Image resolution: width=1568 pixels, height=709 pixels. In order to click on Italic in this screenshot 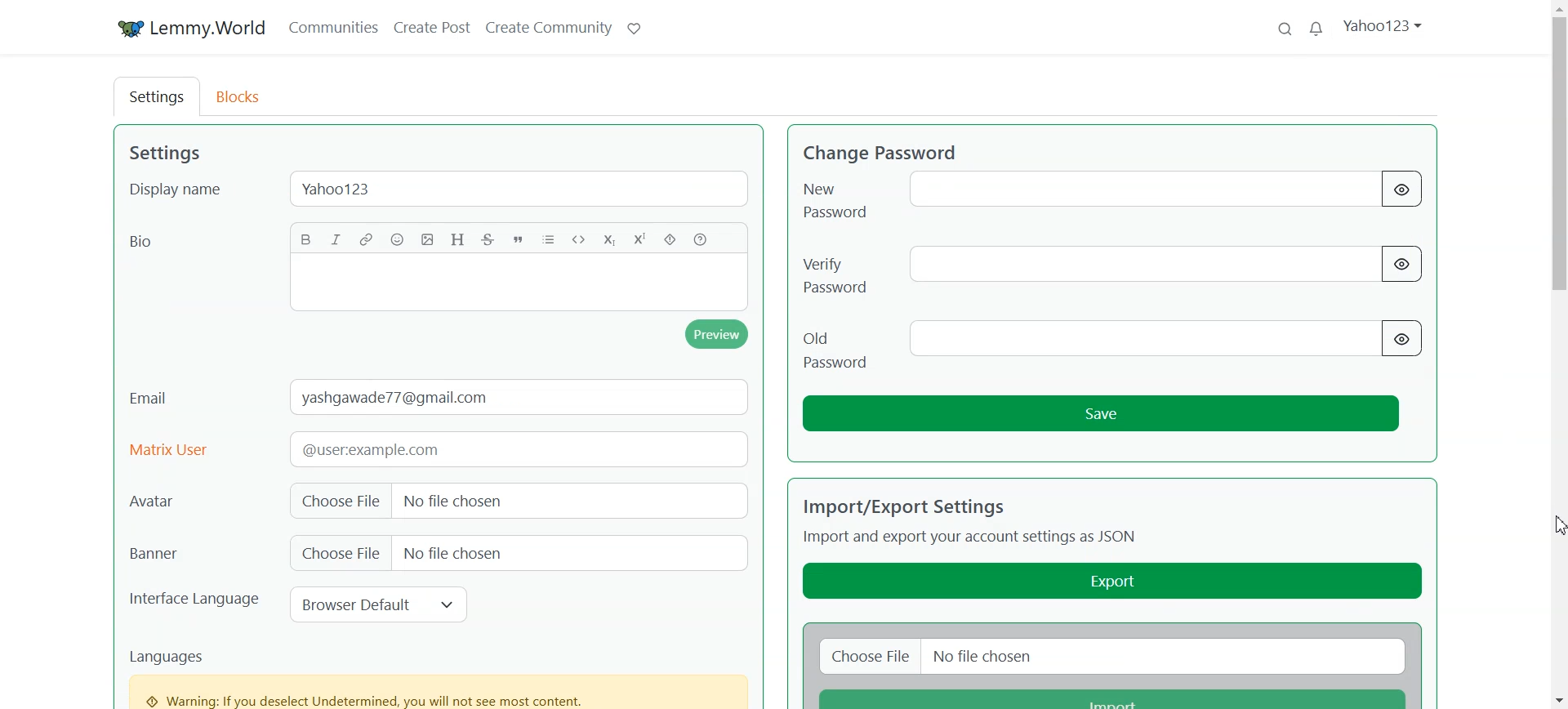, I will do `click(336, 239)`.